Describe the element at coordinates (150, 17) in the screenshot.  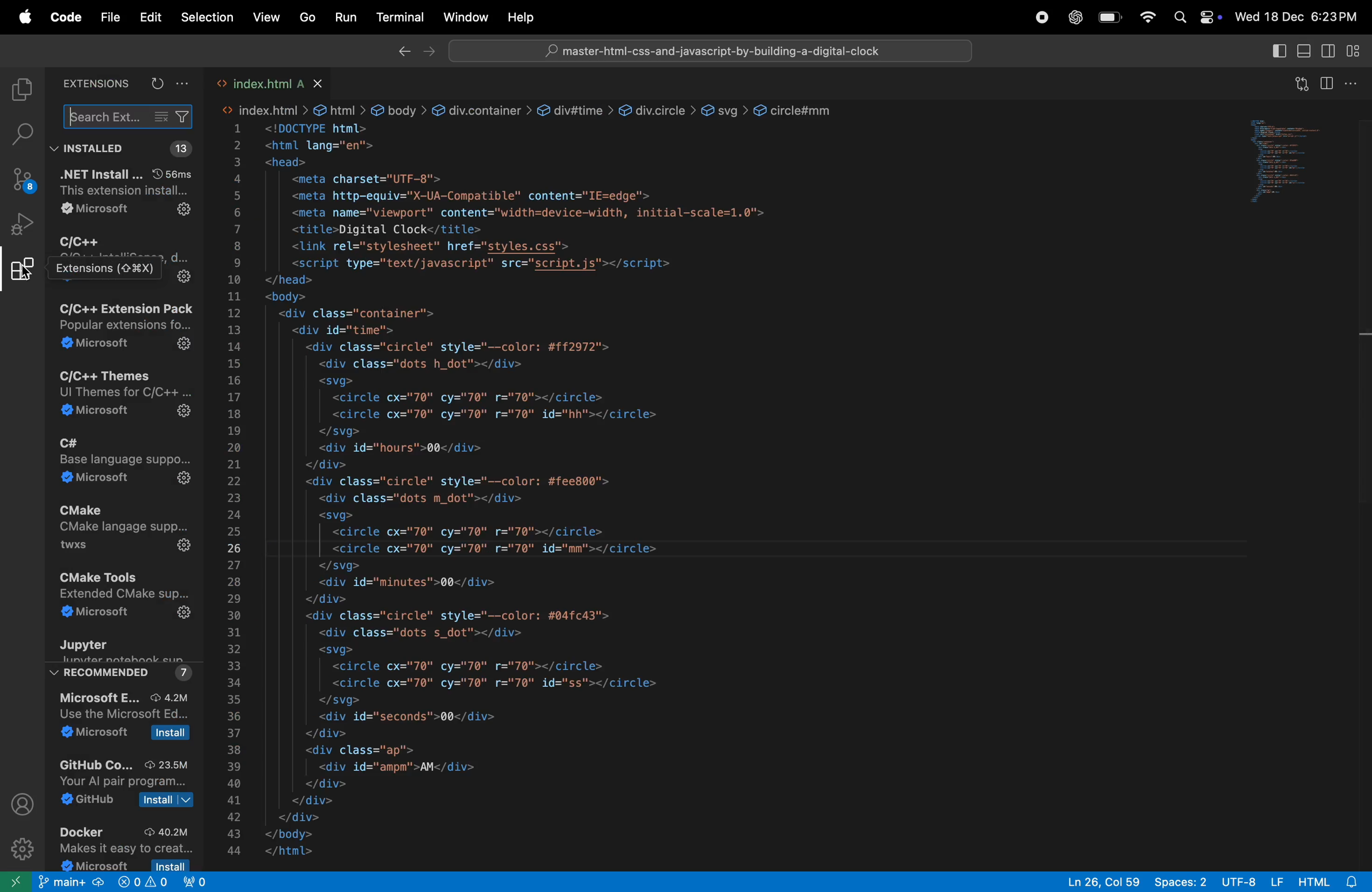
I see `edit` at that location.